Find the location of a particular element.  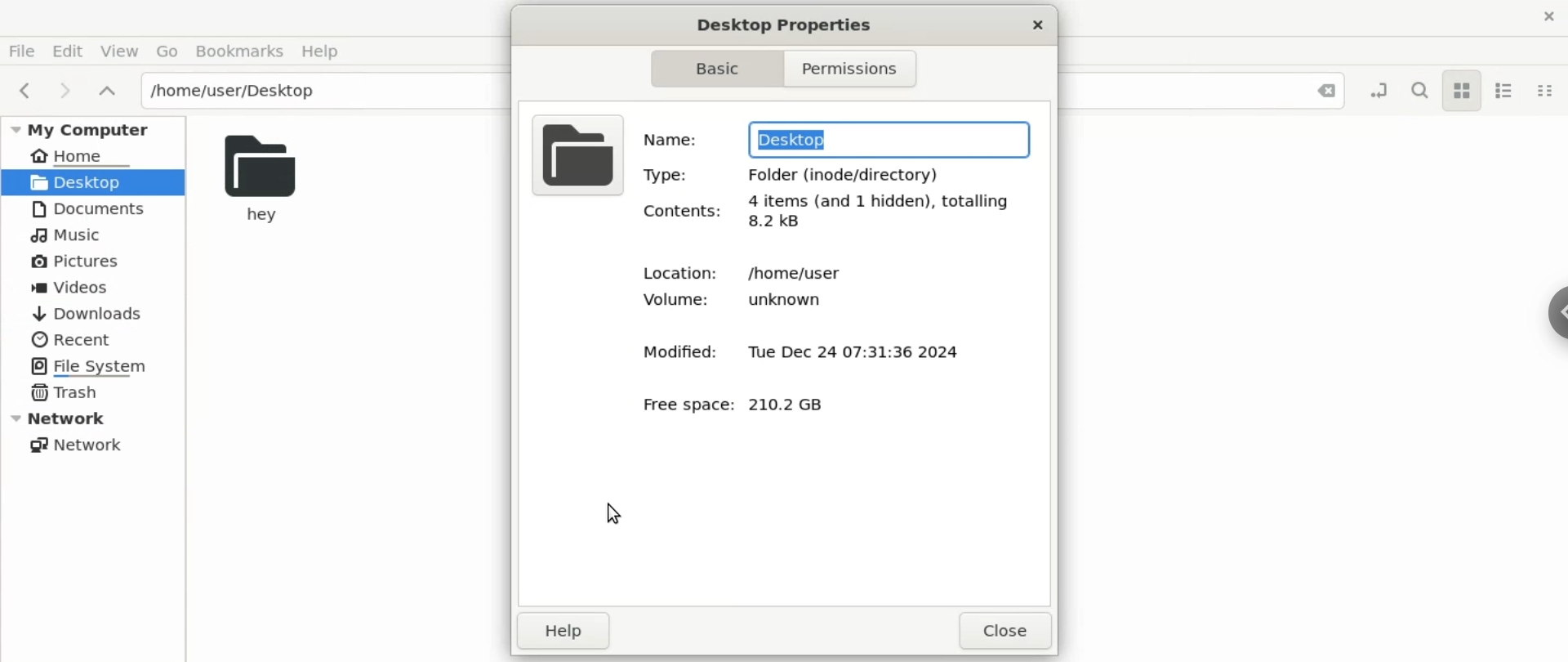

compact view is located at coordinates (1548, 92).